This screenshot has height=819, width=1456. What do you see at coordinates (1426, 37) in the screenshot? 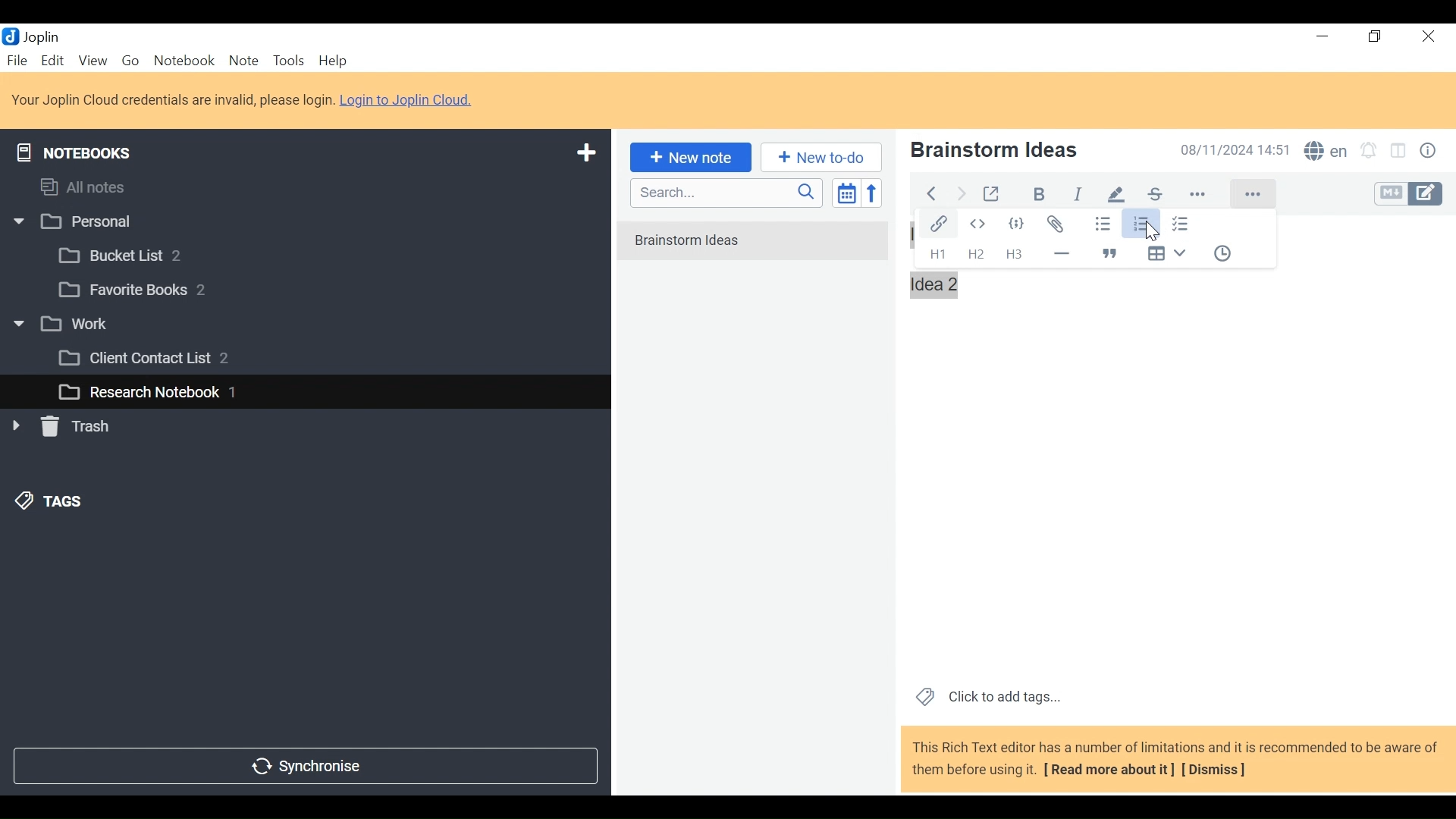
I see `Close` at bounding box center [1426, 37].